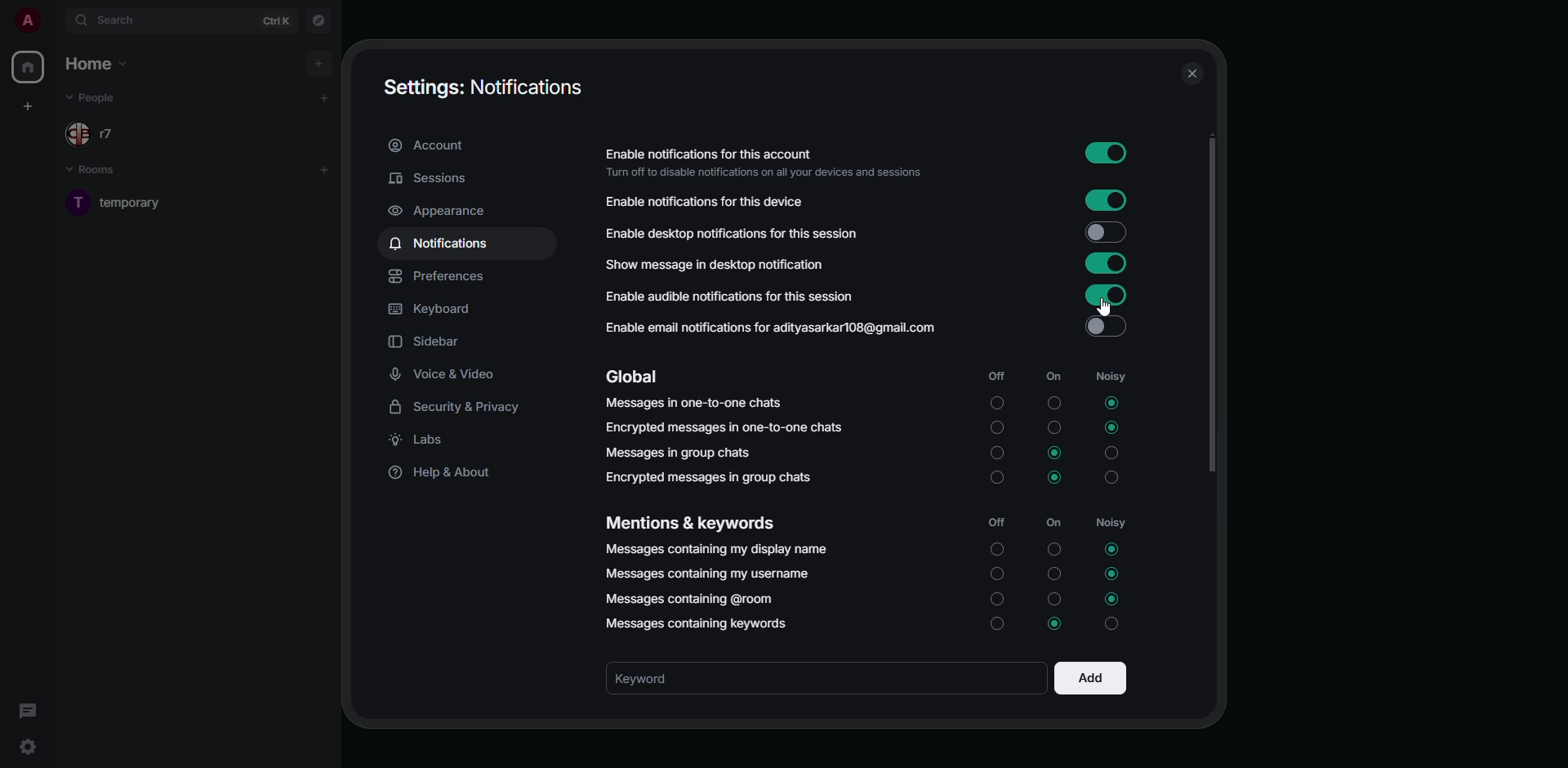 The height and width of the screenshot is (768, 1568). Describe the element at coordinates (1053, 426) in the screenshot. I see `on` at that location.